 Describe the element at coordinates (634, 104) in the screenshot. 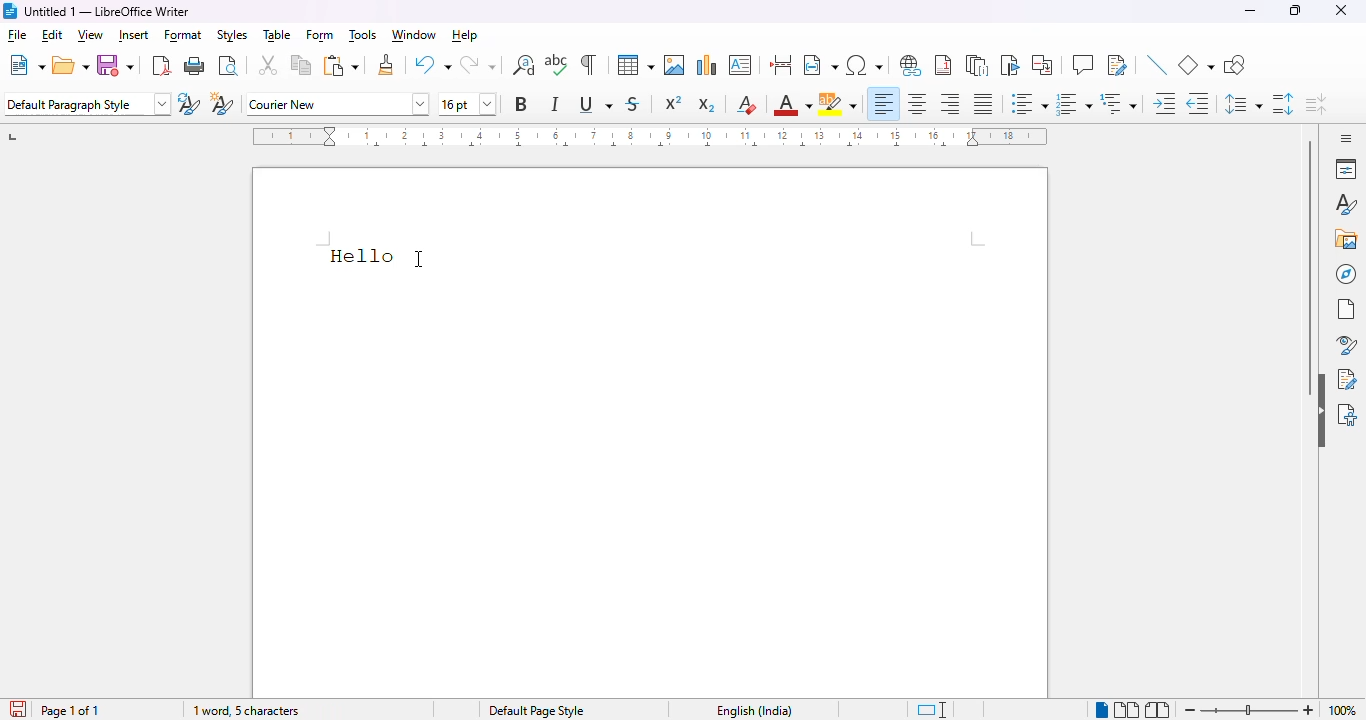

I see `strikethrough` at that location.